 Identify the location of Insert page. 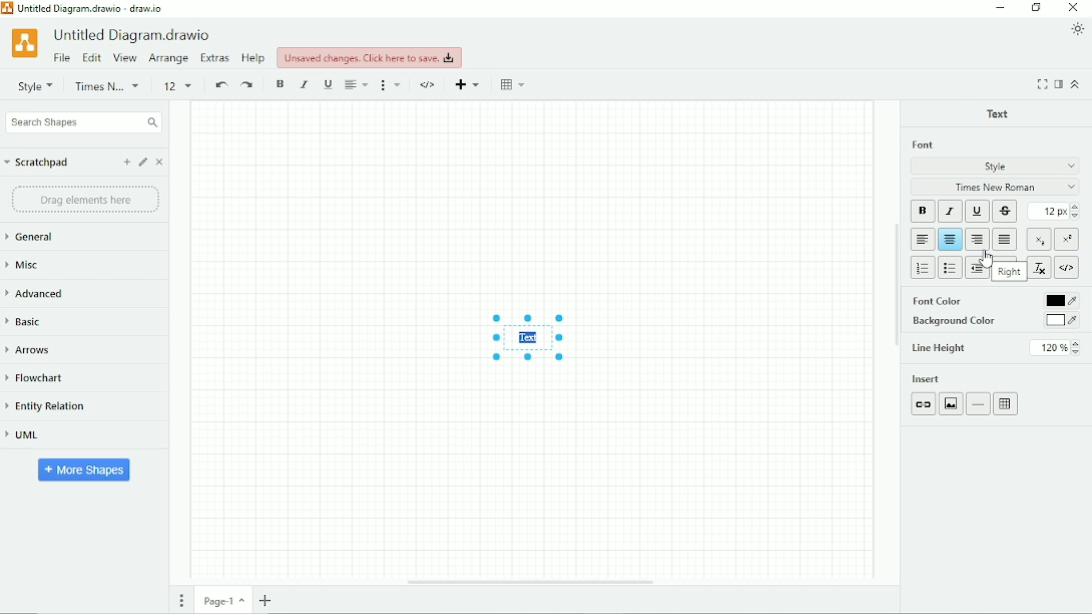
(266, 601).